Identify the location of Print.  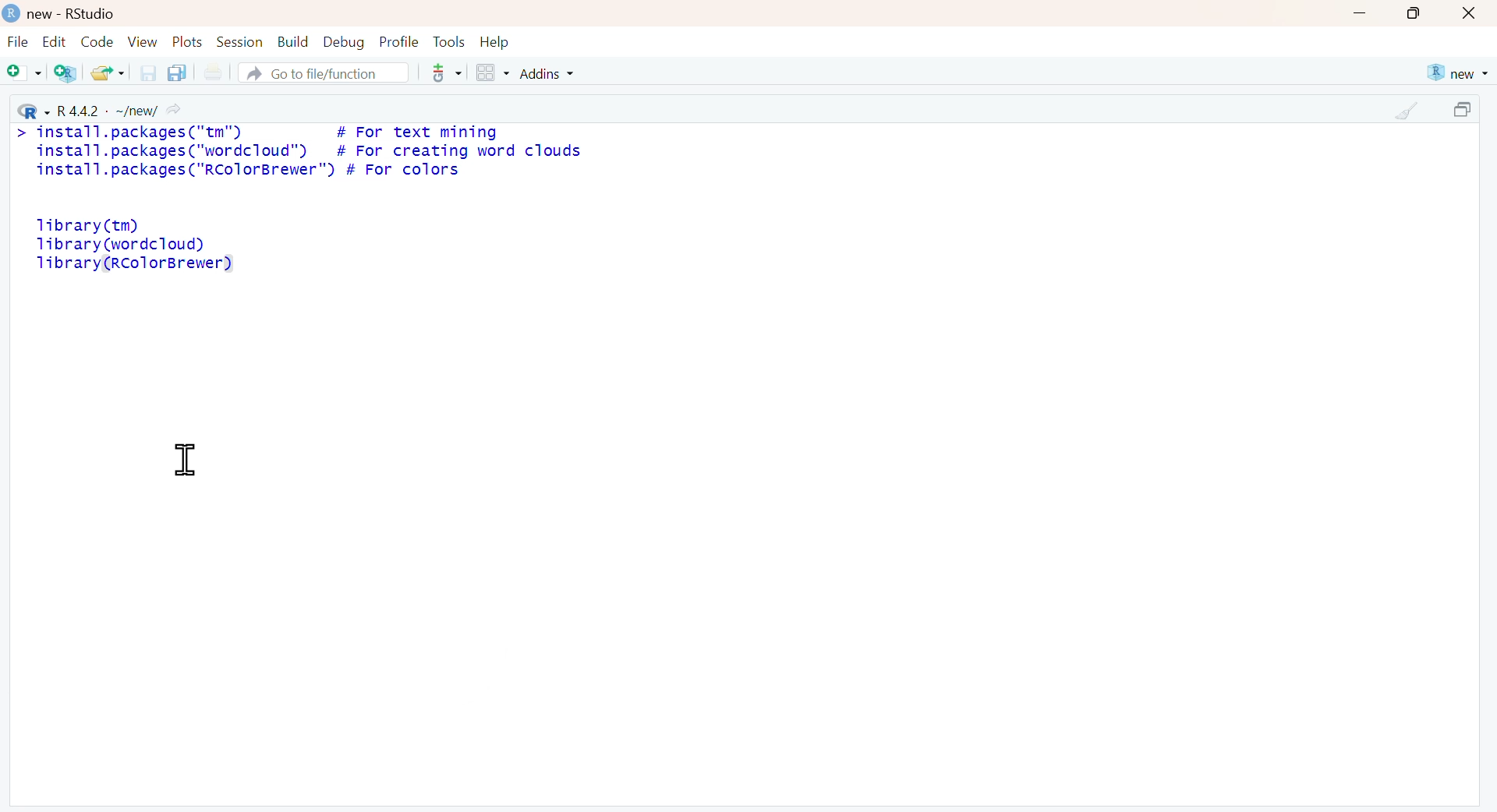
(217, 72).